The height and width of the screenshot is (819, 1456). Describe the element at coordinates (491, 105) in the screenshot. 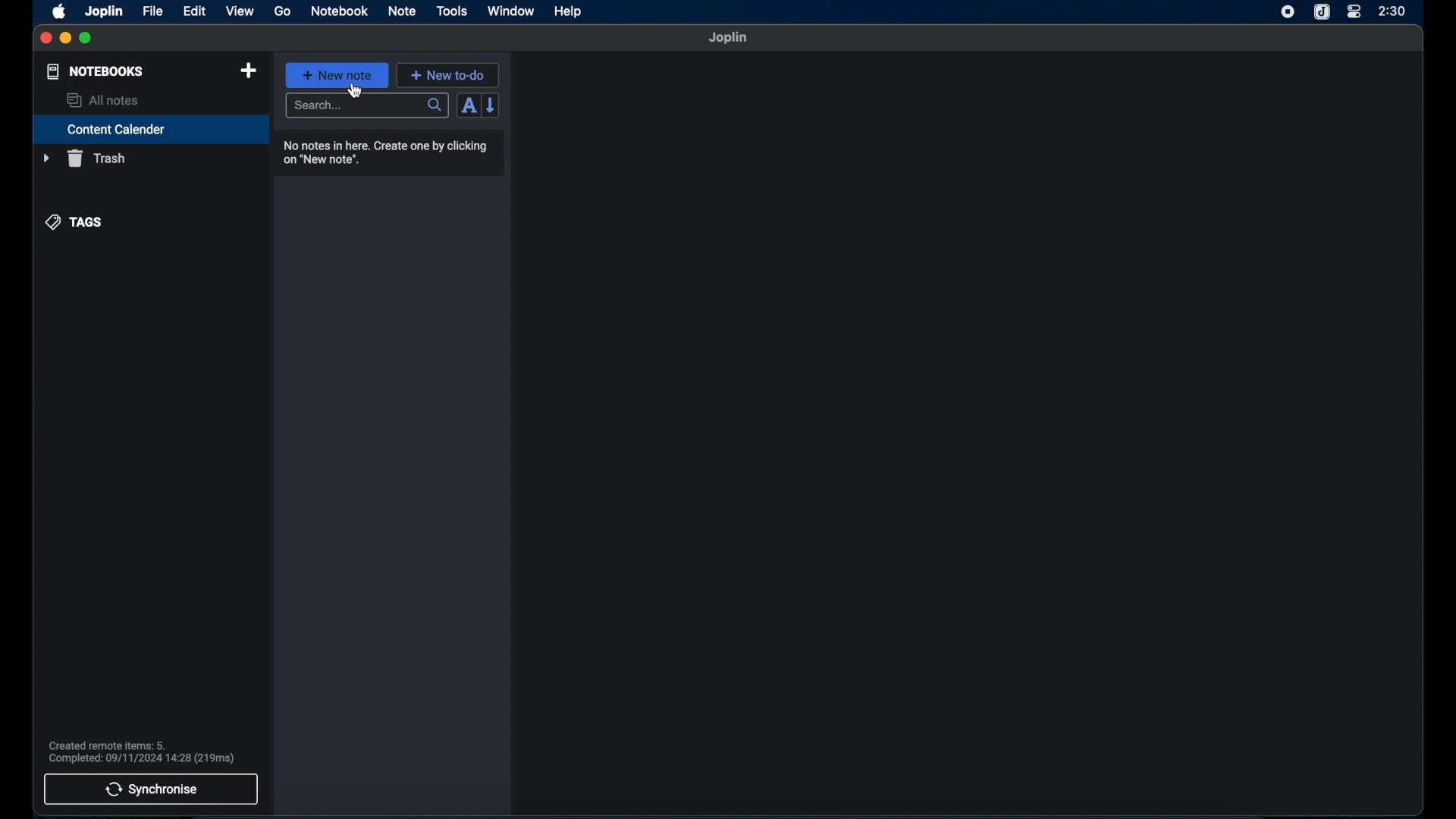

I see `reverse sort order` at that location.